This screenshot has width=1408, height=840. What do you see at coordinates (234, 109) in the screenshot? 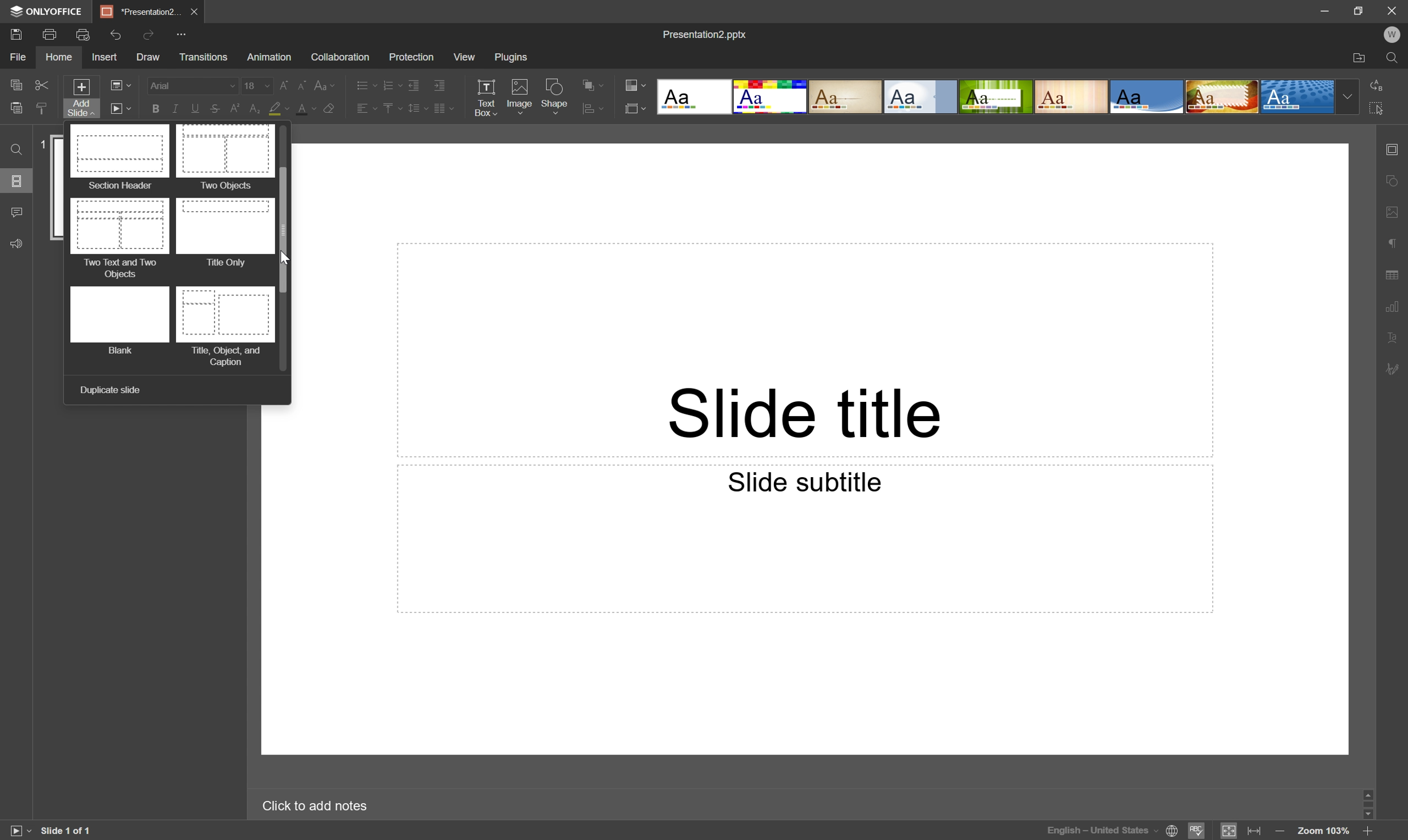
I see `Superscript` at bounding box center [234, 109].